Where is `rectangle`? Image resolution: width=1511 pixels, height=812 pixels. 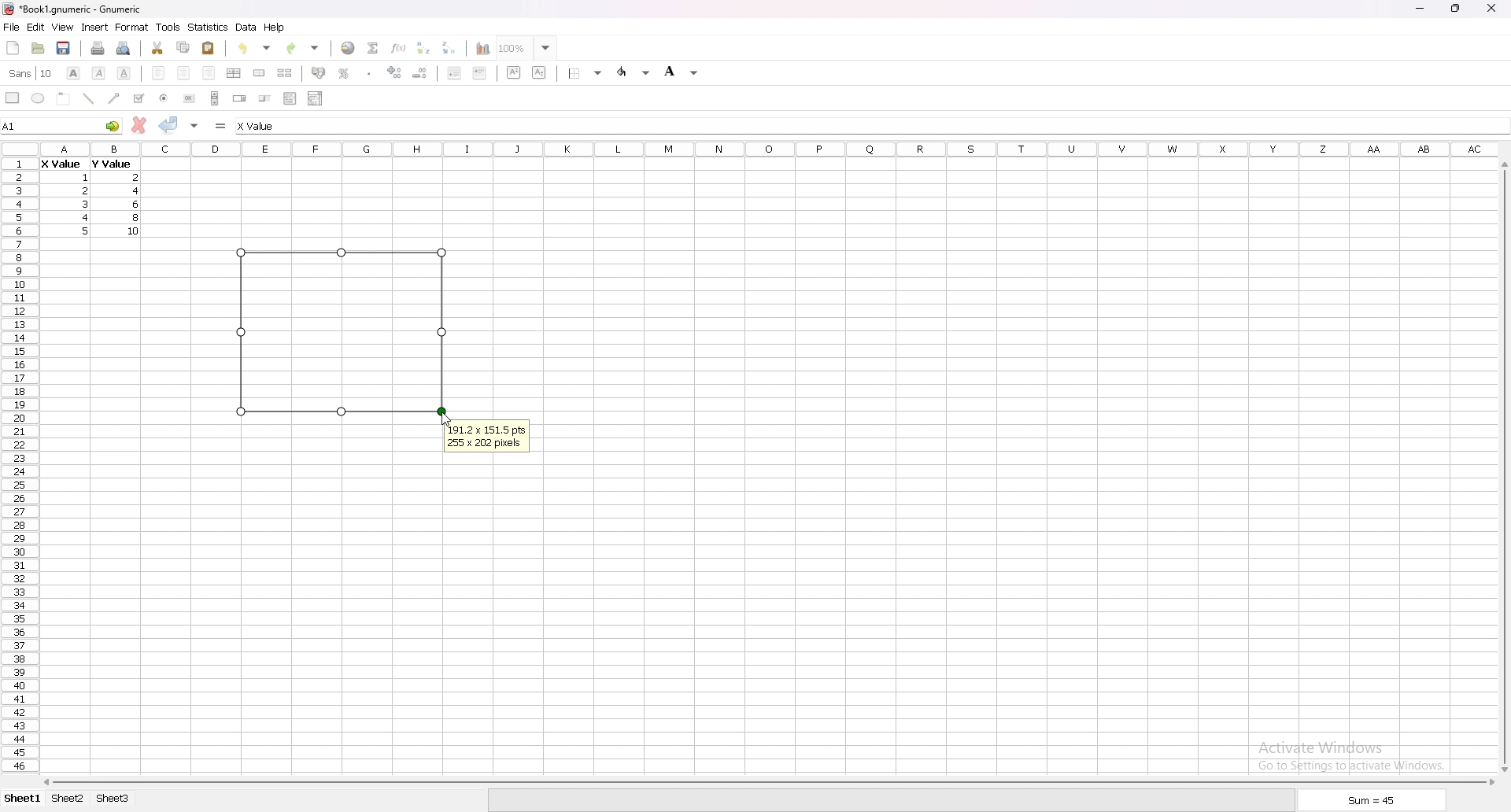
rectangle is located at coordinates (13, 97).